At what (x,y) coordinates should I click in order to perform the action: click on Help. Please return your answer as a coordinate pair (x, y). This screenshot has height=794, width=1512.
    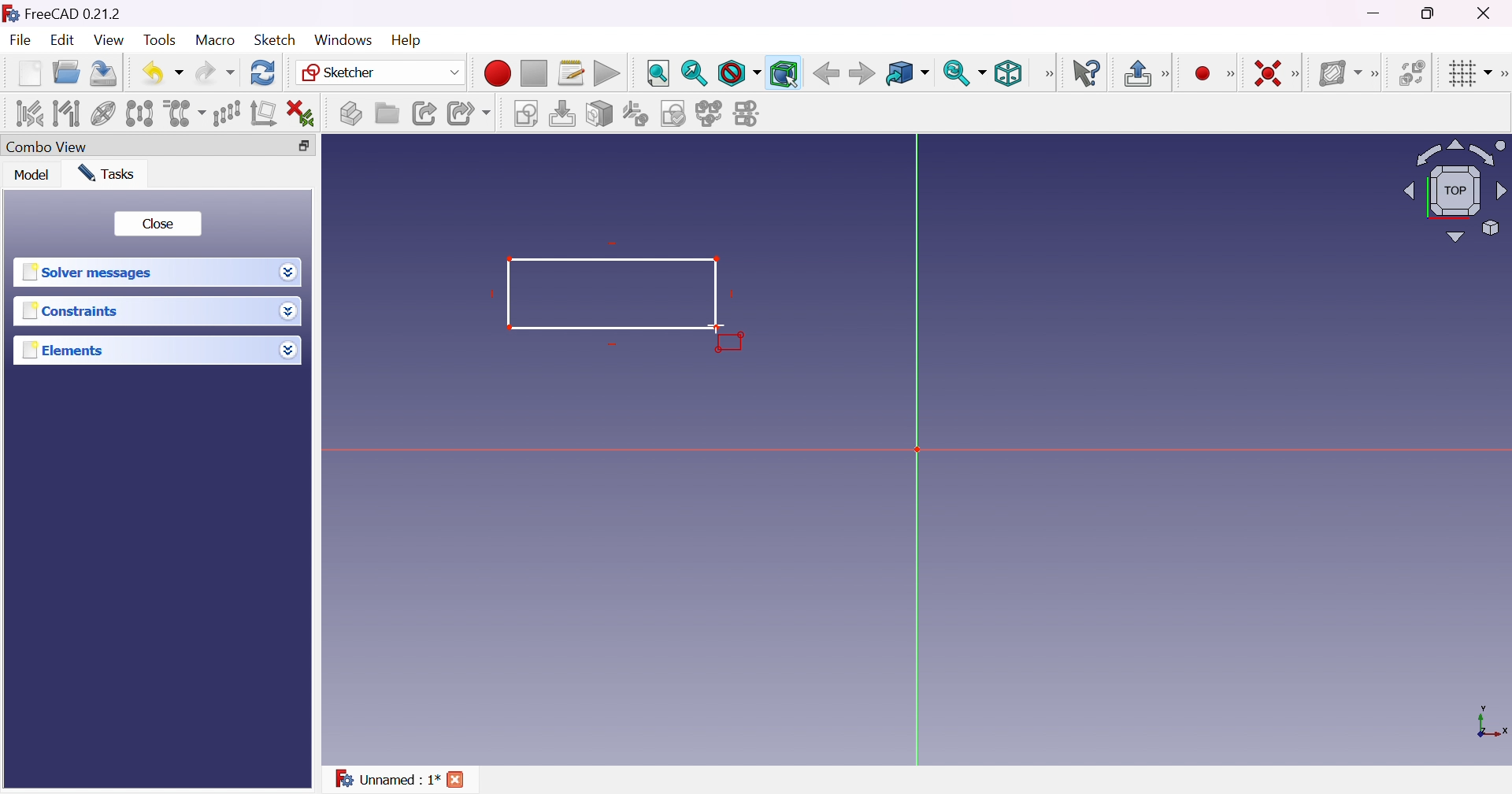
    Looking at the image, I should click on (408, 41).